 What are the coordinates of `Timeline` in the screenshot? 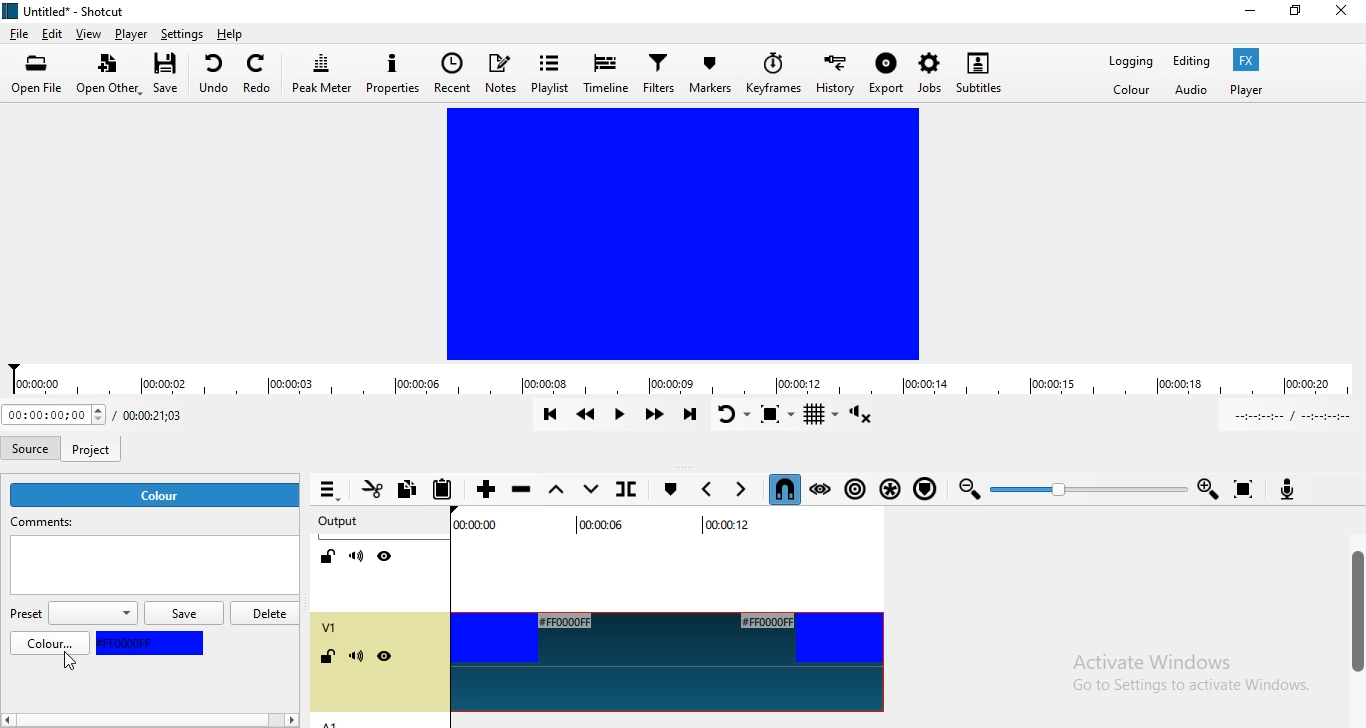 It's located at (606, 70).